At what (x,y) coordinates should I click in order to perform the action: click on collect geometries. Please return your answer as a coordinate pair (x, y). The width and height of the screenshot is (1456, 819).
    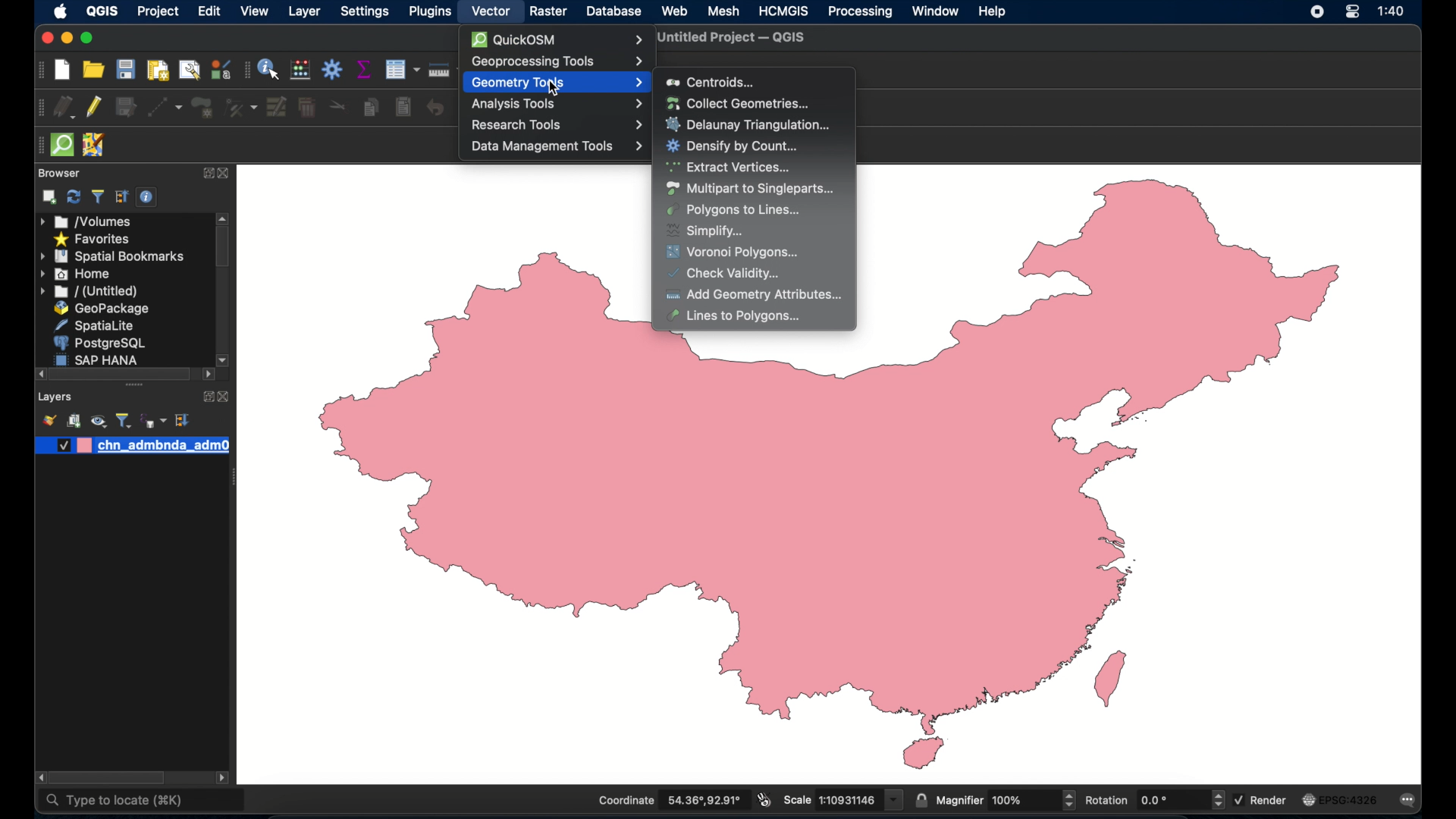
    Looking at the image, I should click on (737, 102).